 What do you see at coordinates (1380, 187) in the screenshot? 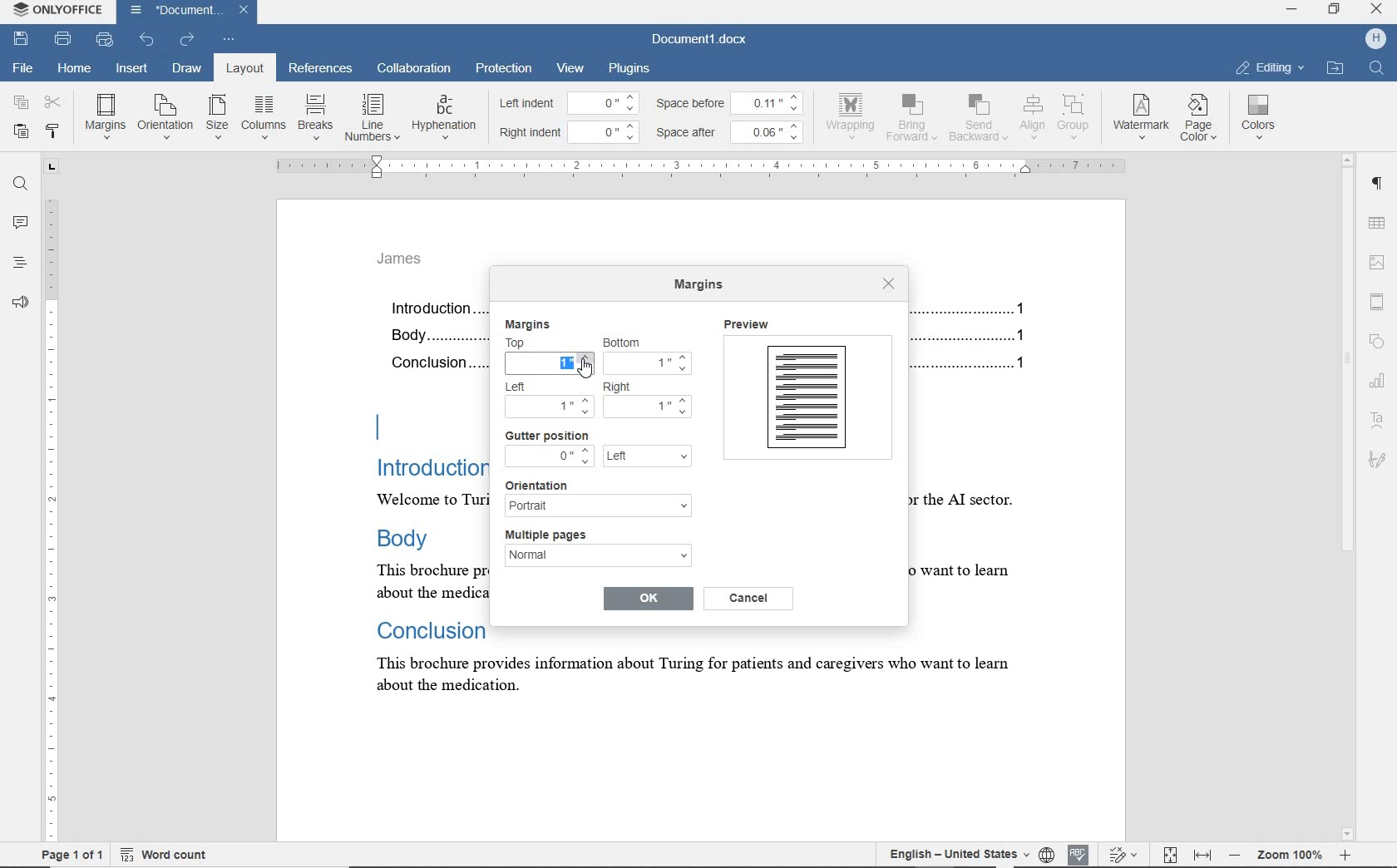
I see `paragraph settings` at bounding box center [1380, 187].